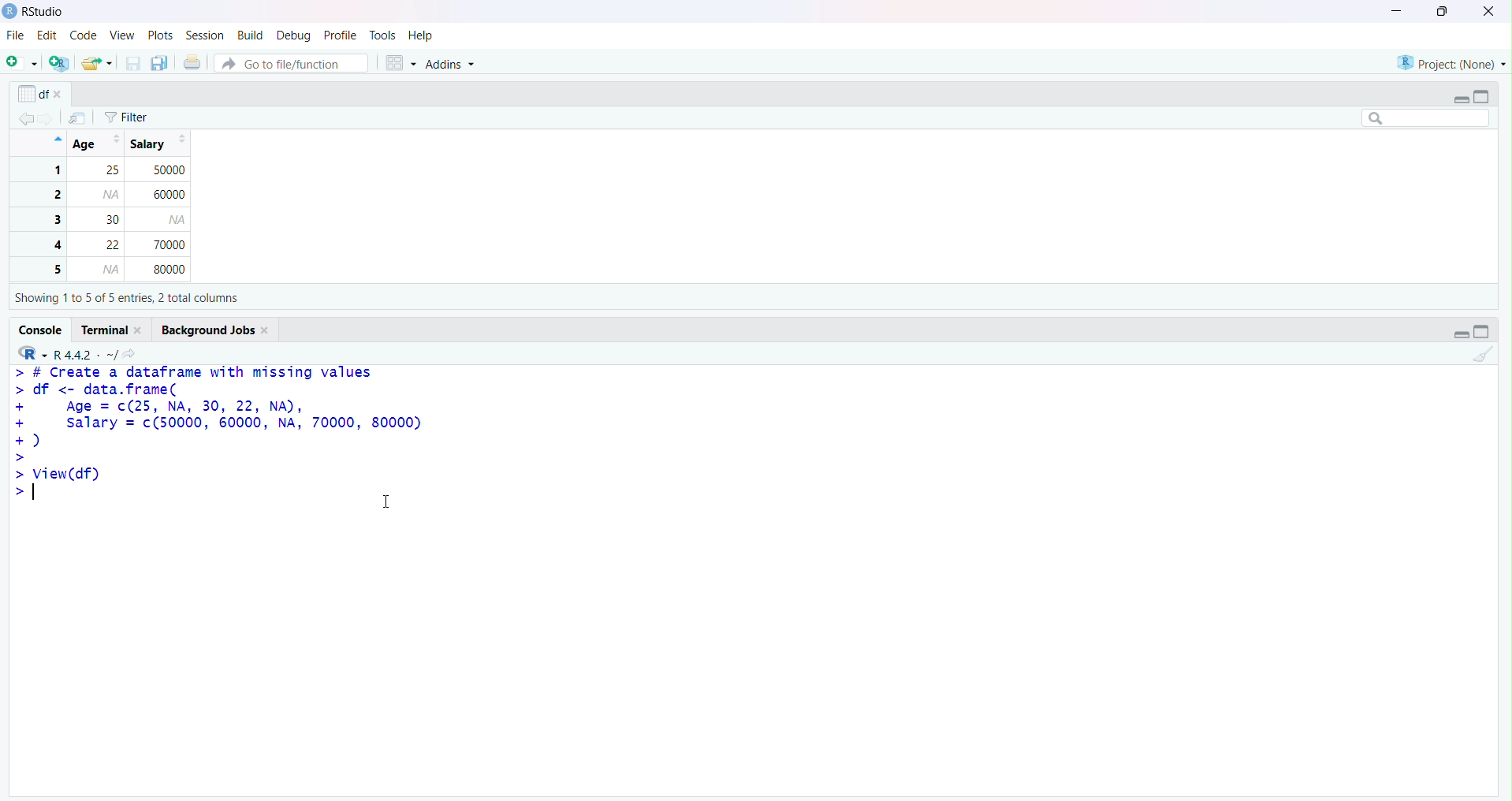 This screenshot has height=801, width=1512. I want to click on Terminal, so click(114, 329).